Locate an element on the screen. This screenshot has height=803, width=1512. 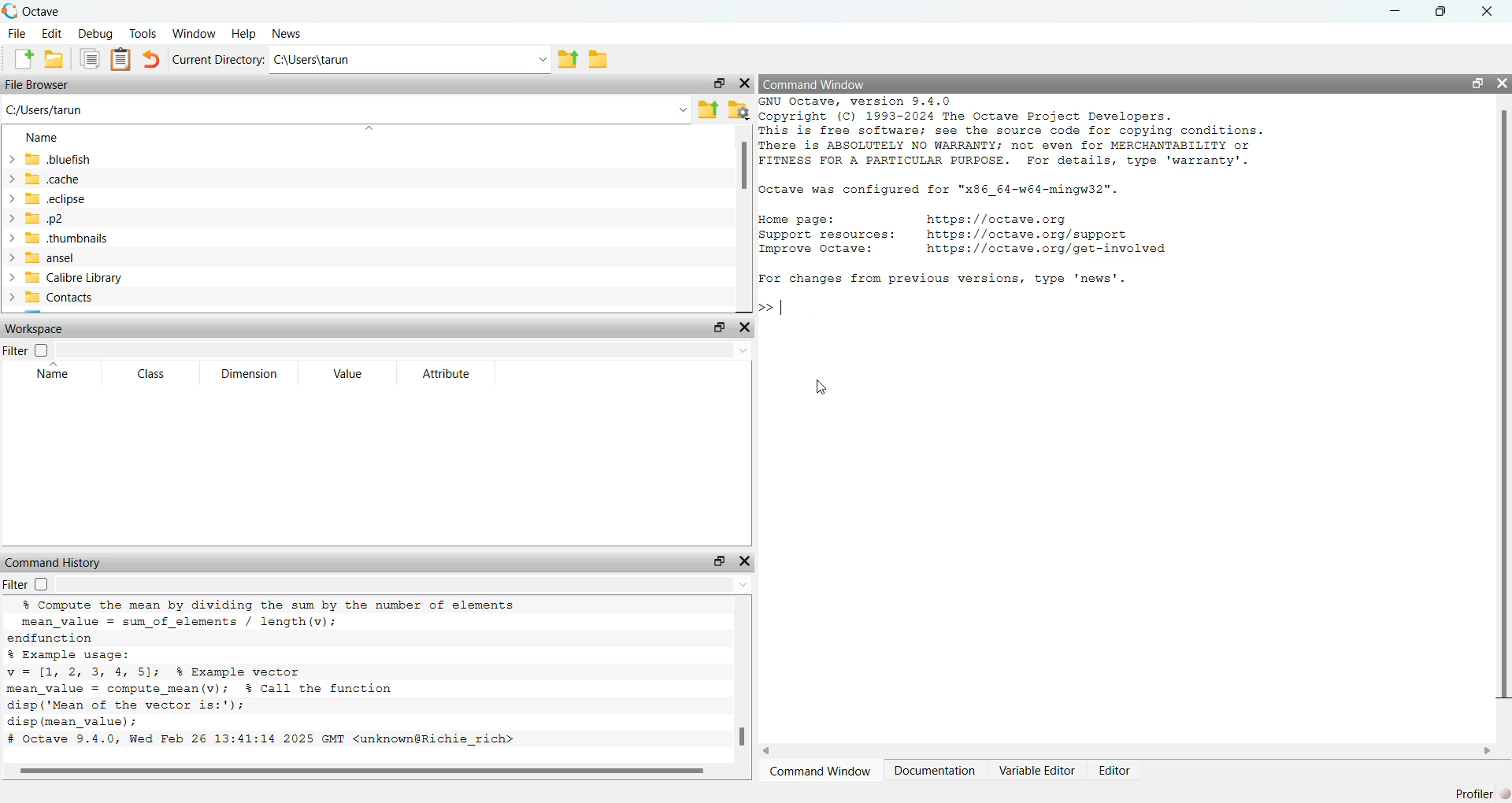
scroll left is located at coordinates (769, 751).